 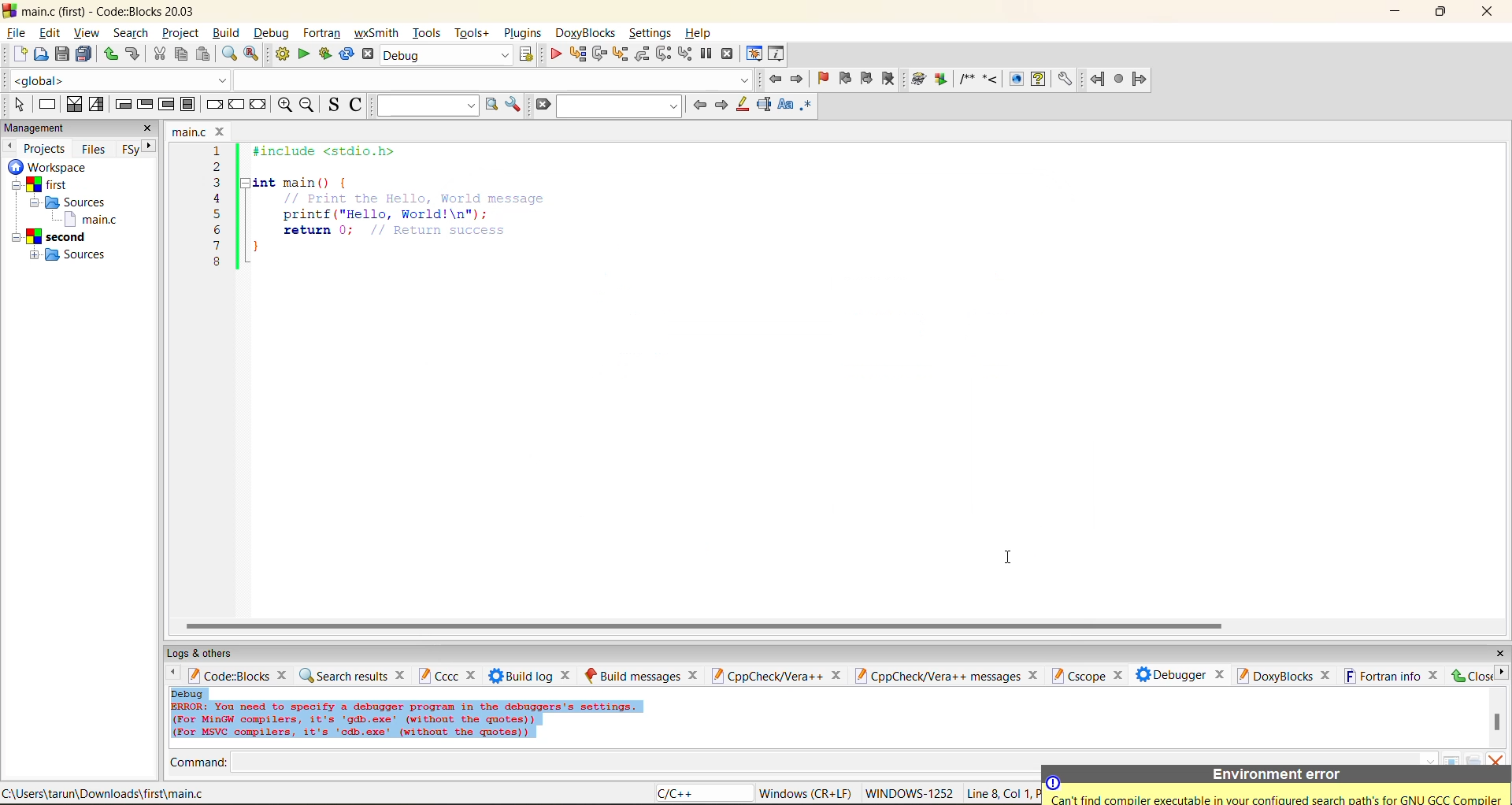 I want to click on fortran, so click(x=322, y=33).